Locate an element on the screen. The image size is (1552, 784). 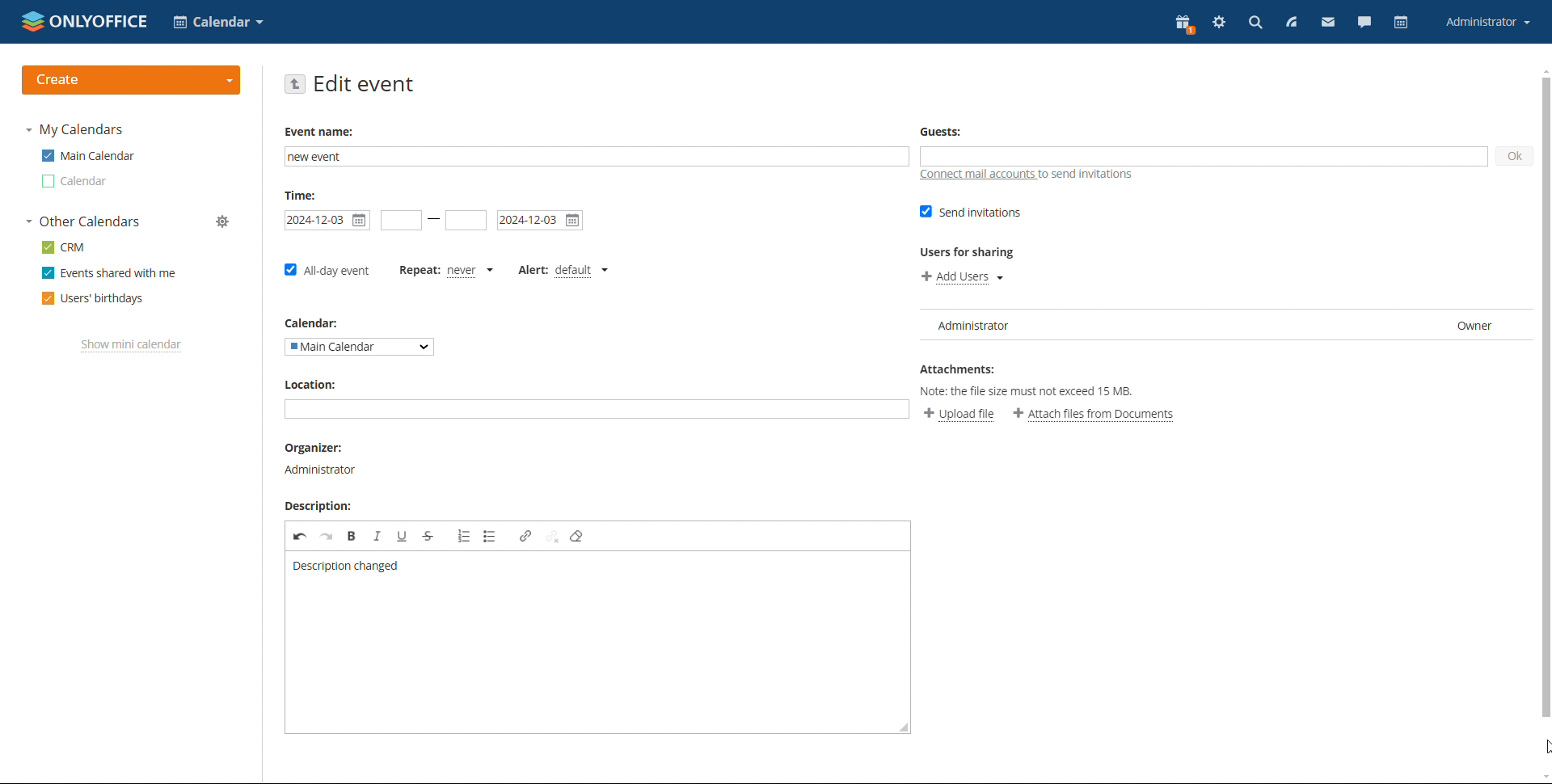
Attachments: is located at coordinates (960, 369).